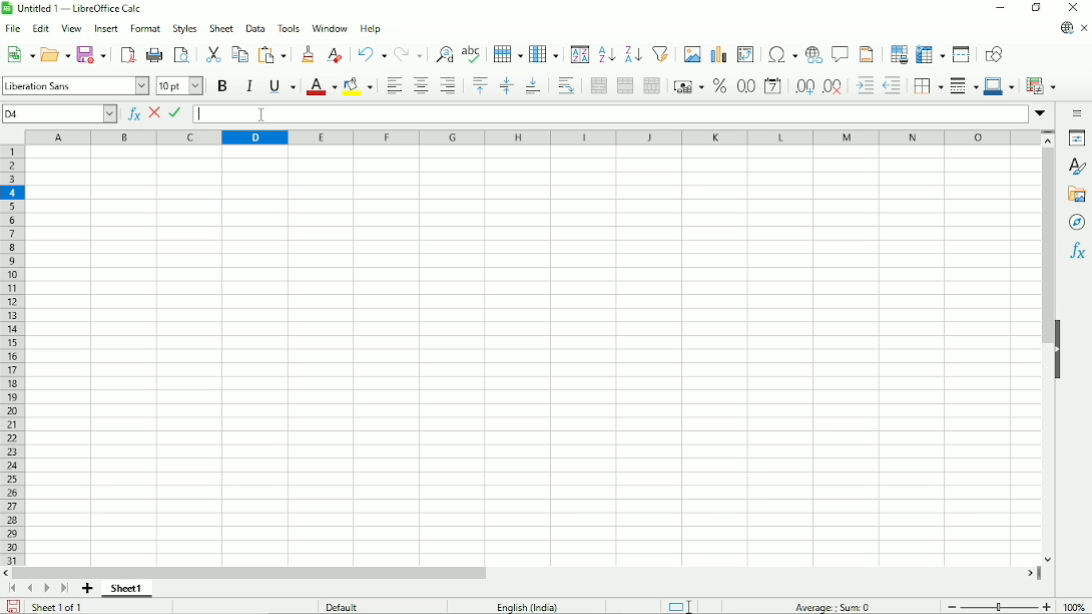 The width and height of the screenshot is (1092, 614). I want to click on Cut, so click(213, 54).